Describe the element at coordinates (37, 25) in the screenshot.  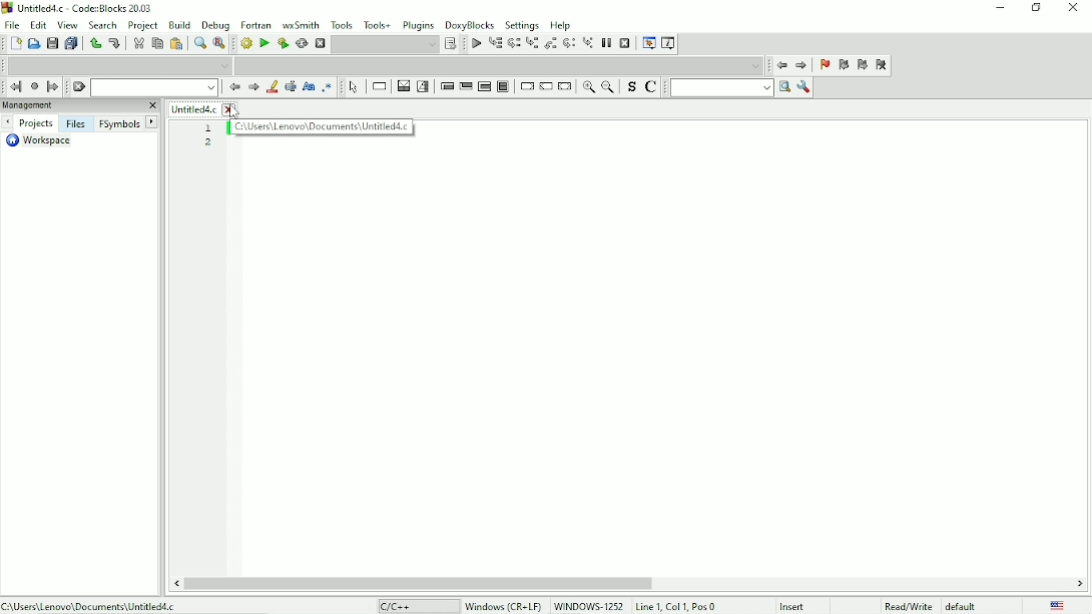
I see `Edit` at that location.